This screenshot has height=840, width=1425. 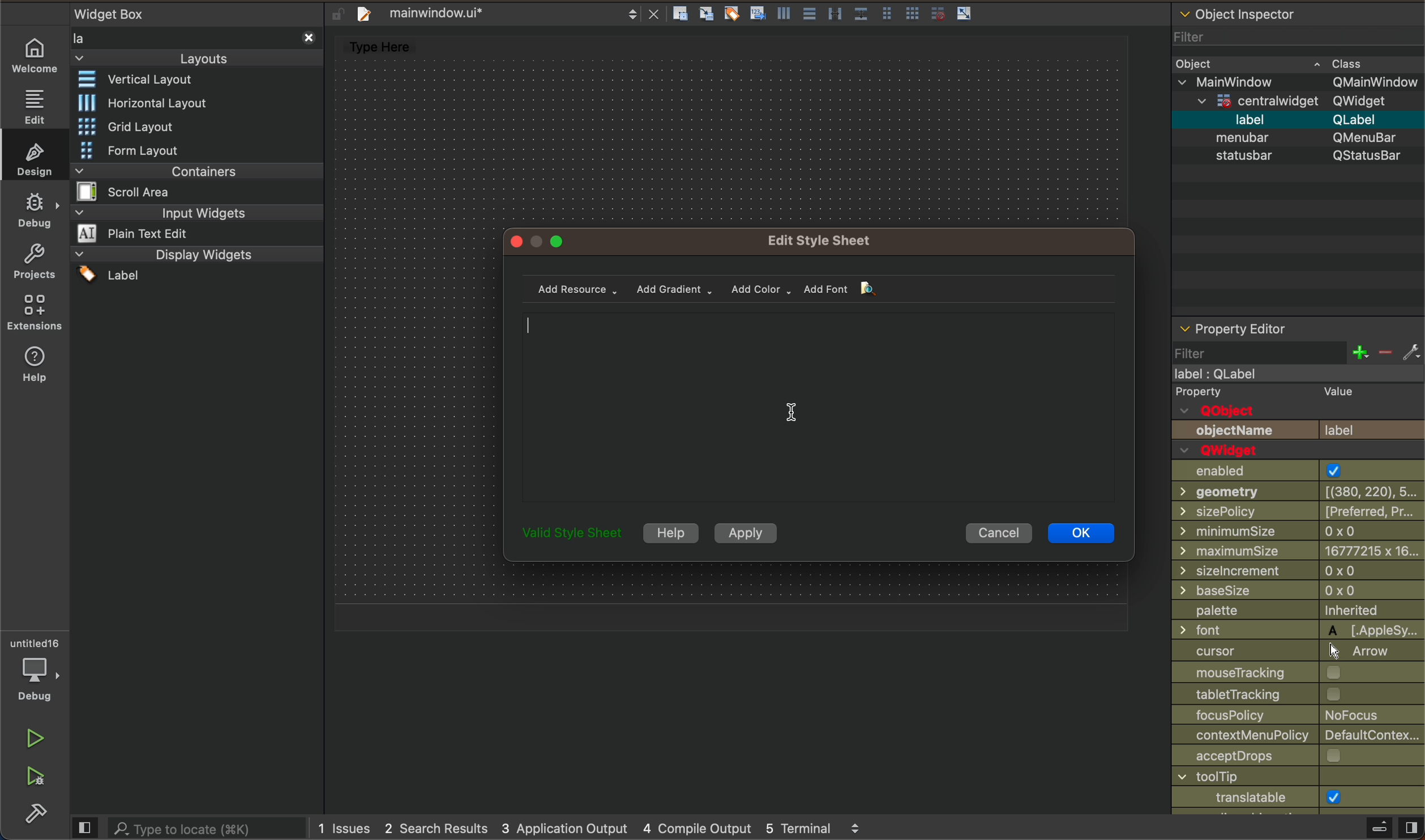 What do you see at coordinates (1298, 570) in the screenshot?
I see `size increment ` at bounding box center [1298, 570].